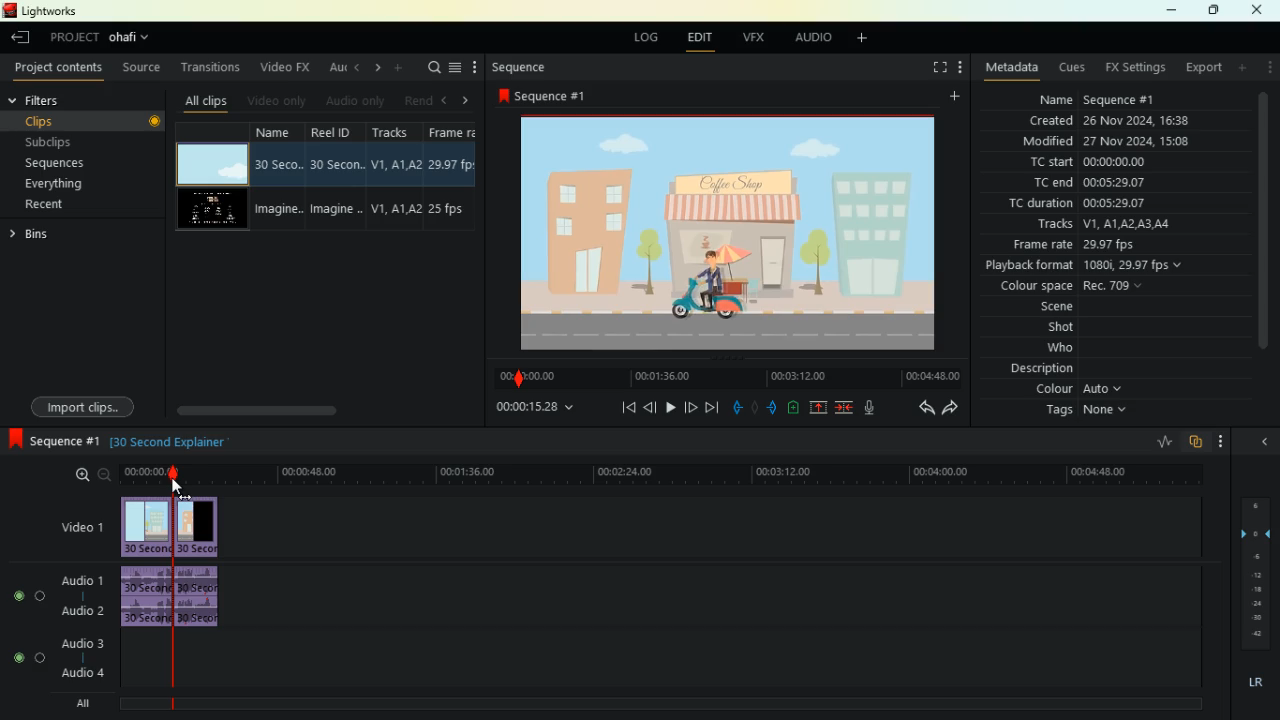 The width and height of the screenshot is (1280, 720). I want to click on menu, so click(965, 67).